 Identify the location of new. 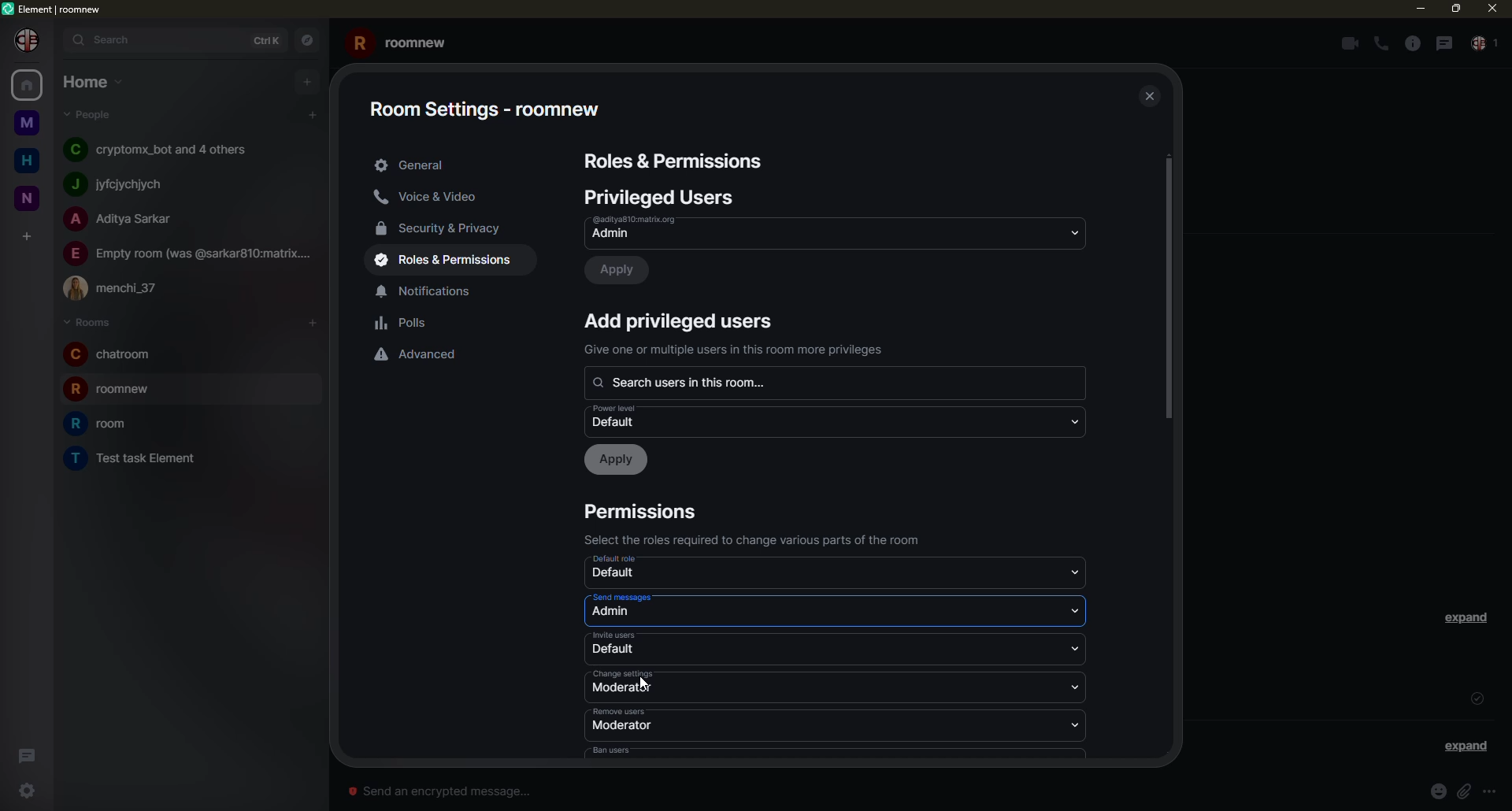
(28, 195).